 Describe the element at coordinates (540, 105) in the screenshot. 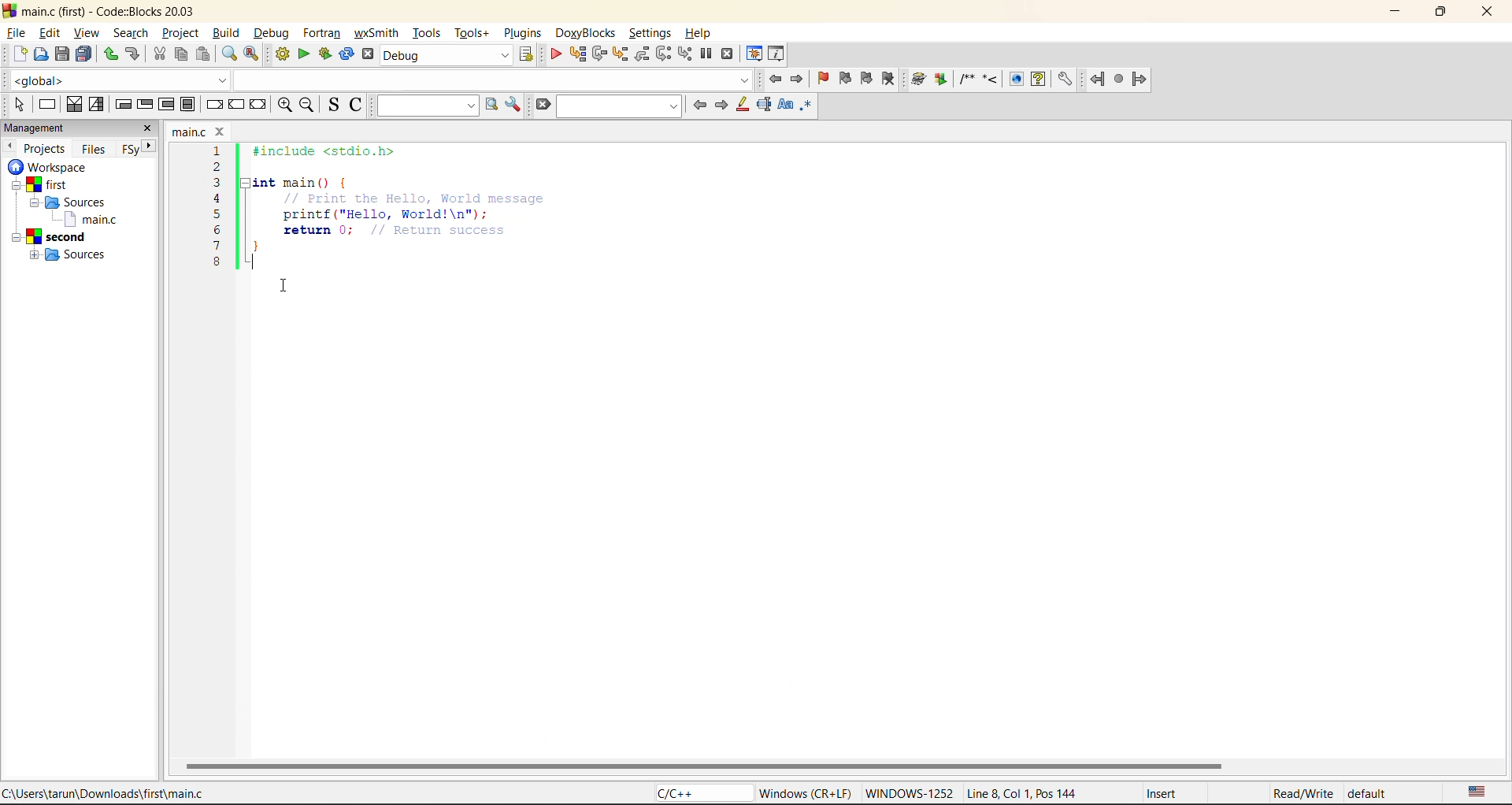

I see `clear` at that location.